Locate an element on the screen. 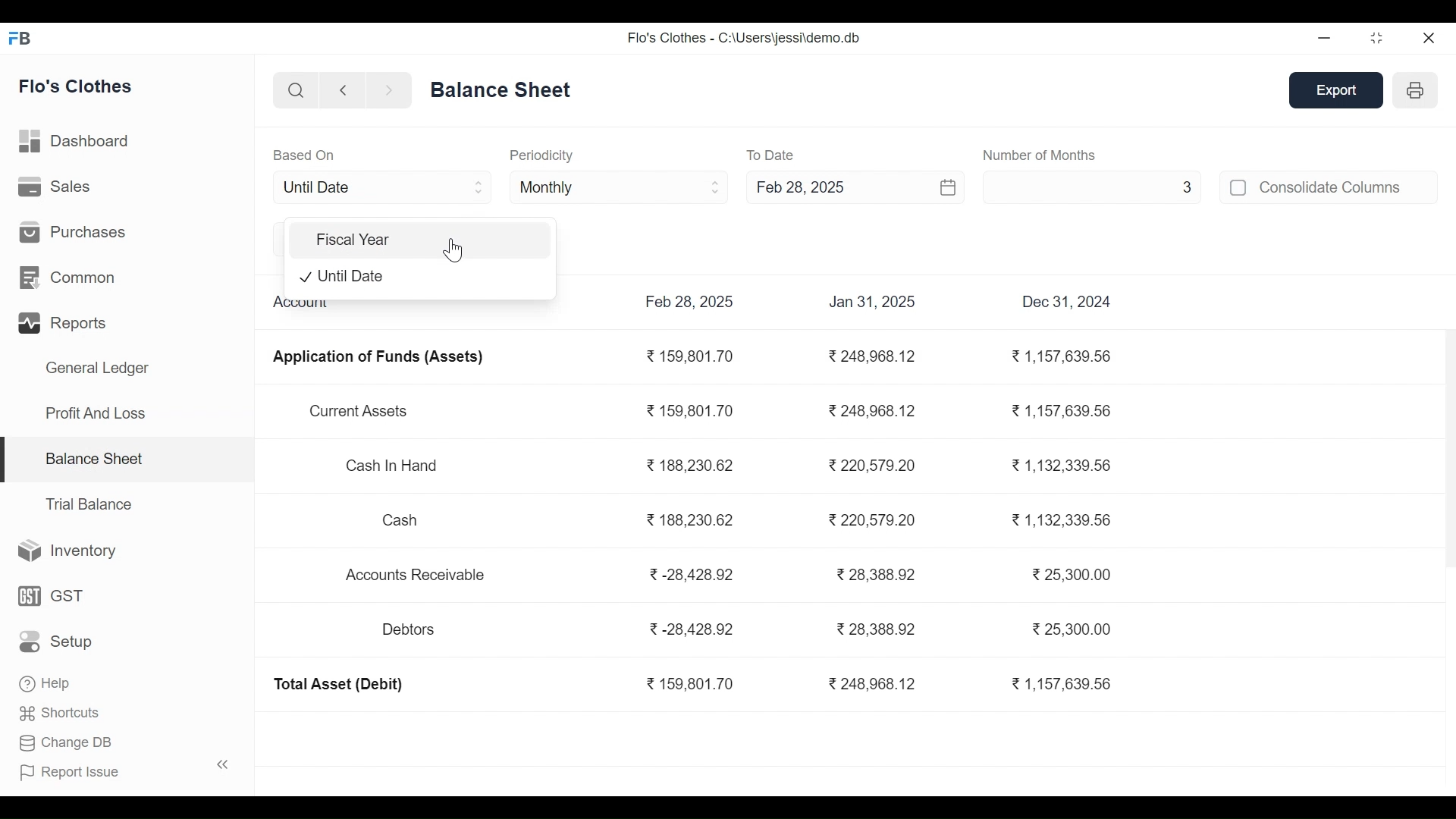 The width and height of the screenshot is (1456, 819). Monthly is located at coordinates (620, 186).